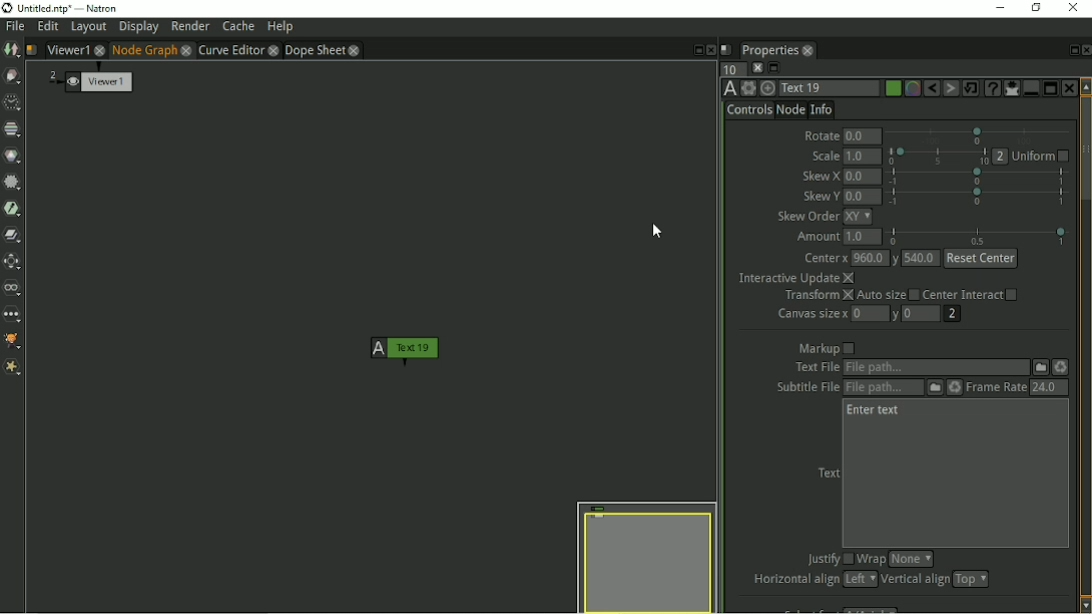  What do you see at coordinates (1085, 345) in the screenshot?
I see `Vertical scrollbar` at bounding box center [1085, 345].